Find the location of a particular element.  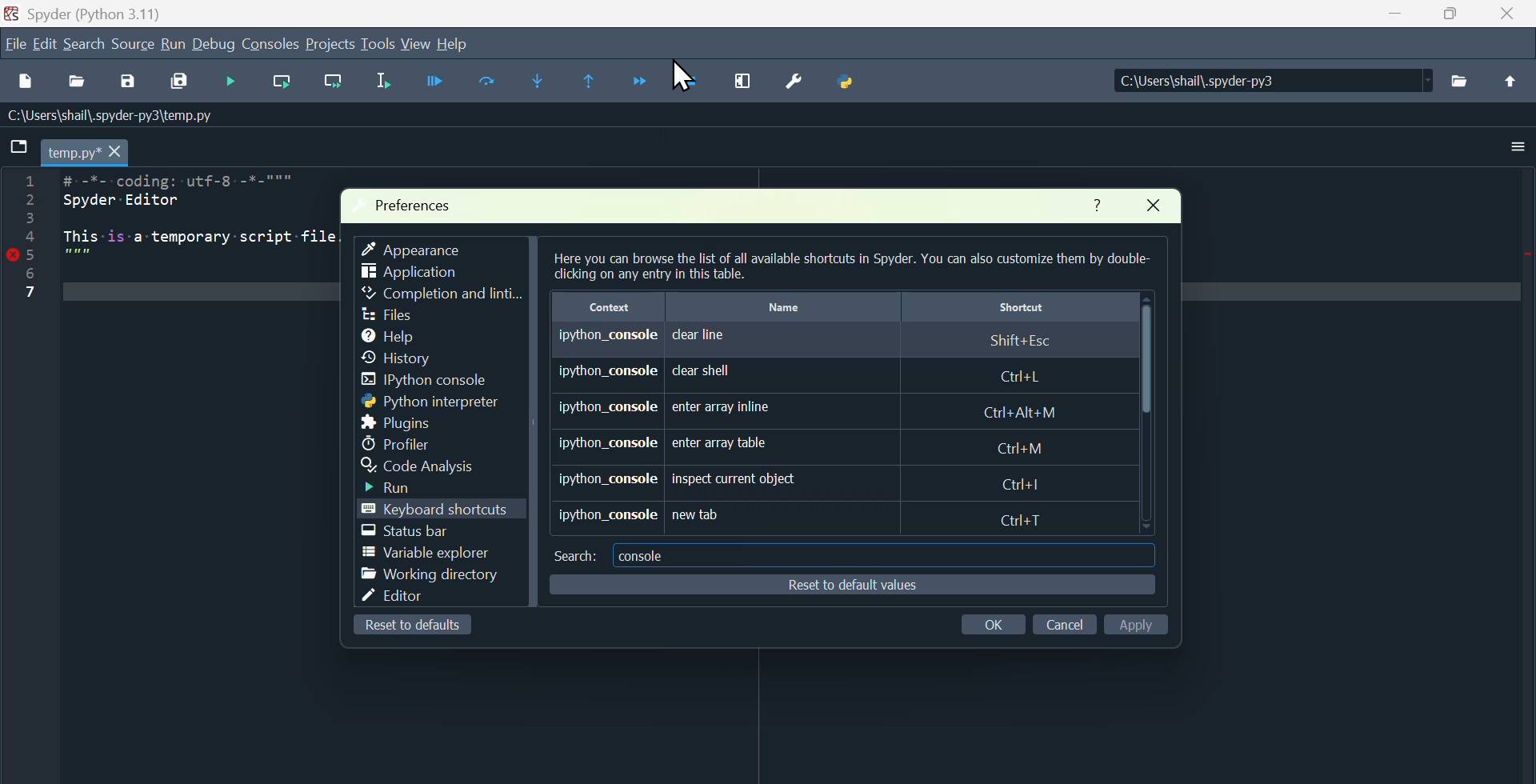

Clear line is located at coordinates (846, 341).